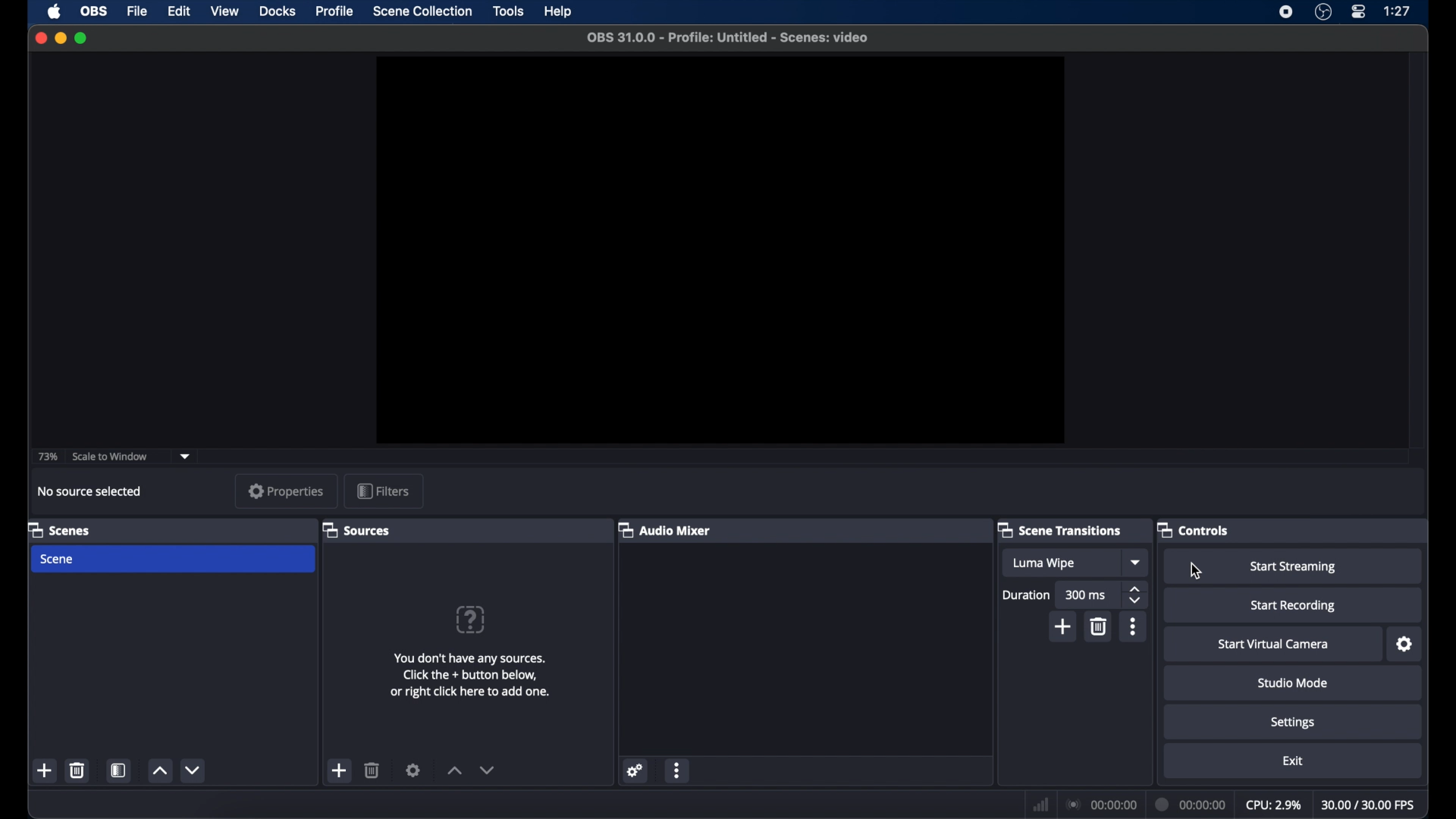 The height and width of the screenshot is (819, 1456). What do you see at coordinates (1272, 805) in the screenshot?
I see `cpu` at bounding box center [1272, 805].